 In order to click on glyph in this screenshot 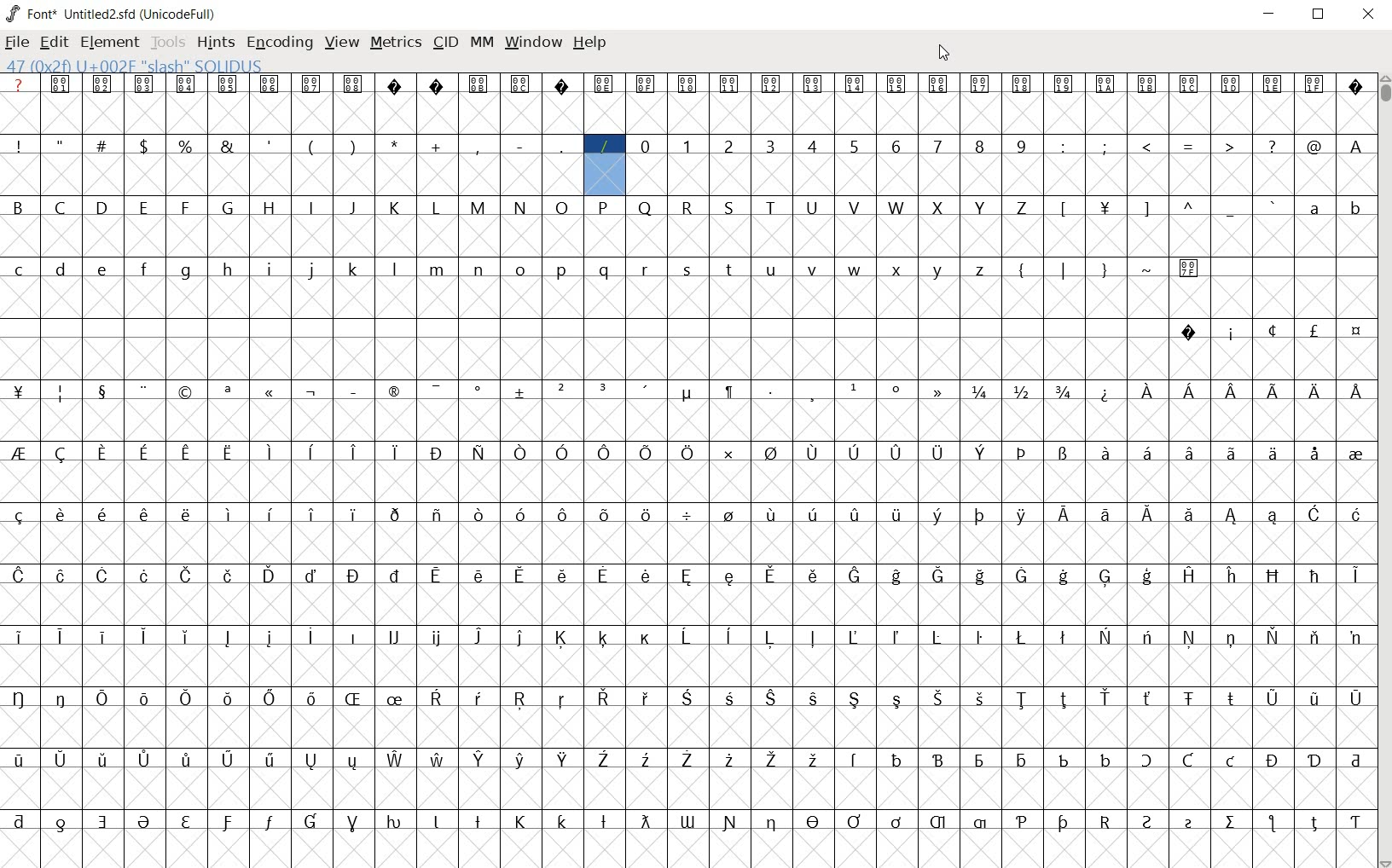, I will do `click(19, 760)`.